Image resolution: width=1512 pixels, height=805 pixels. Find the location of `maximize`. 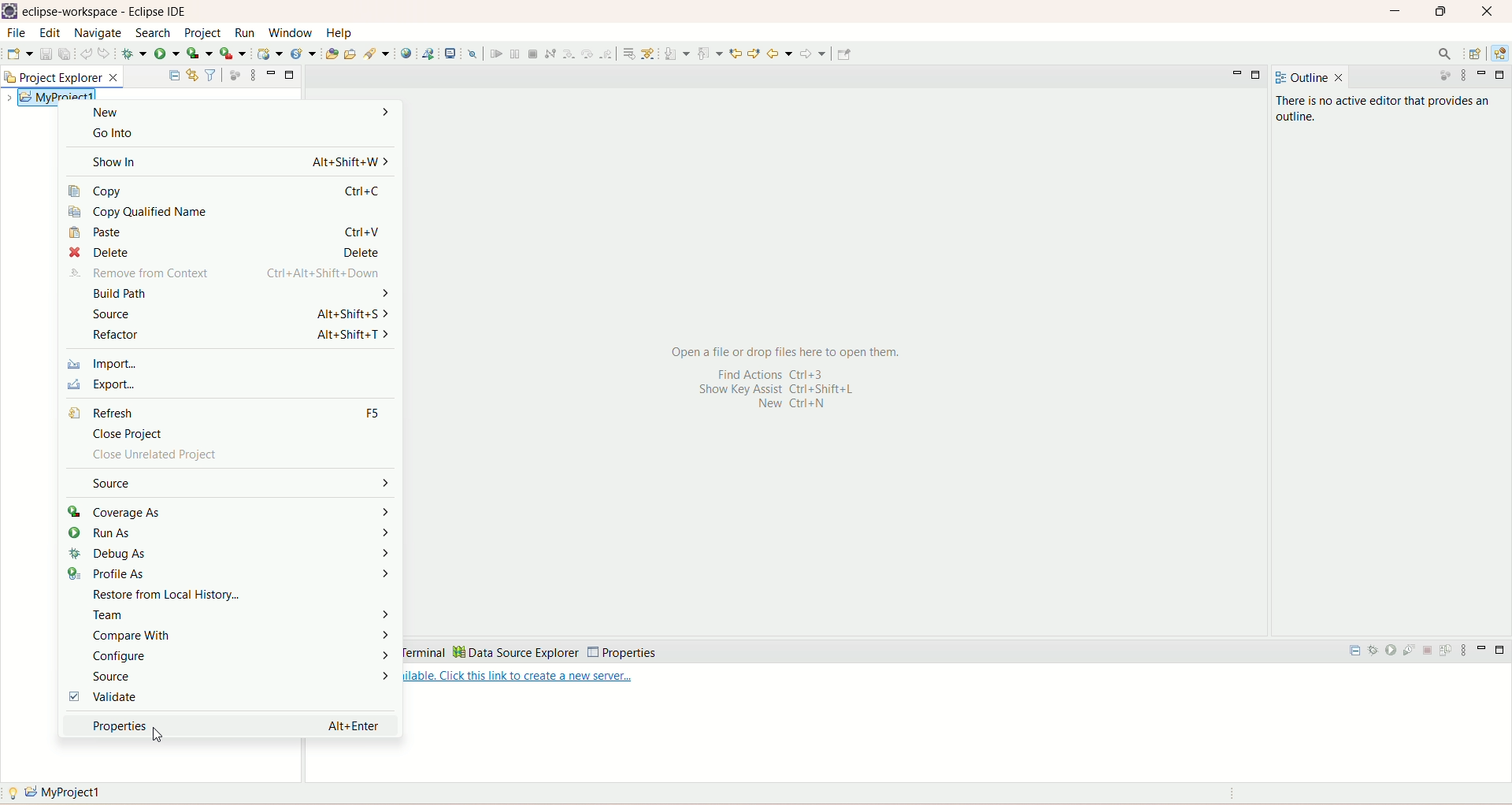

maximize is located at coordinates (1501, 652).